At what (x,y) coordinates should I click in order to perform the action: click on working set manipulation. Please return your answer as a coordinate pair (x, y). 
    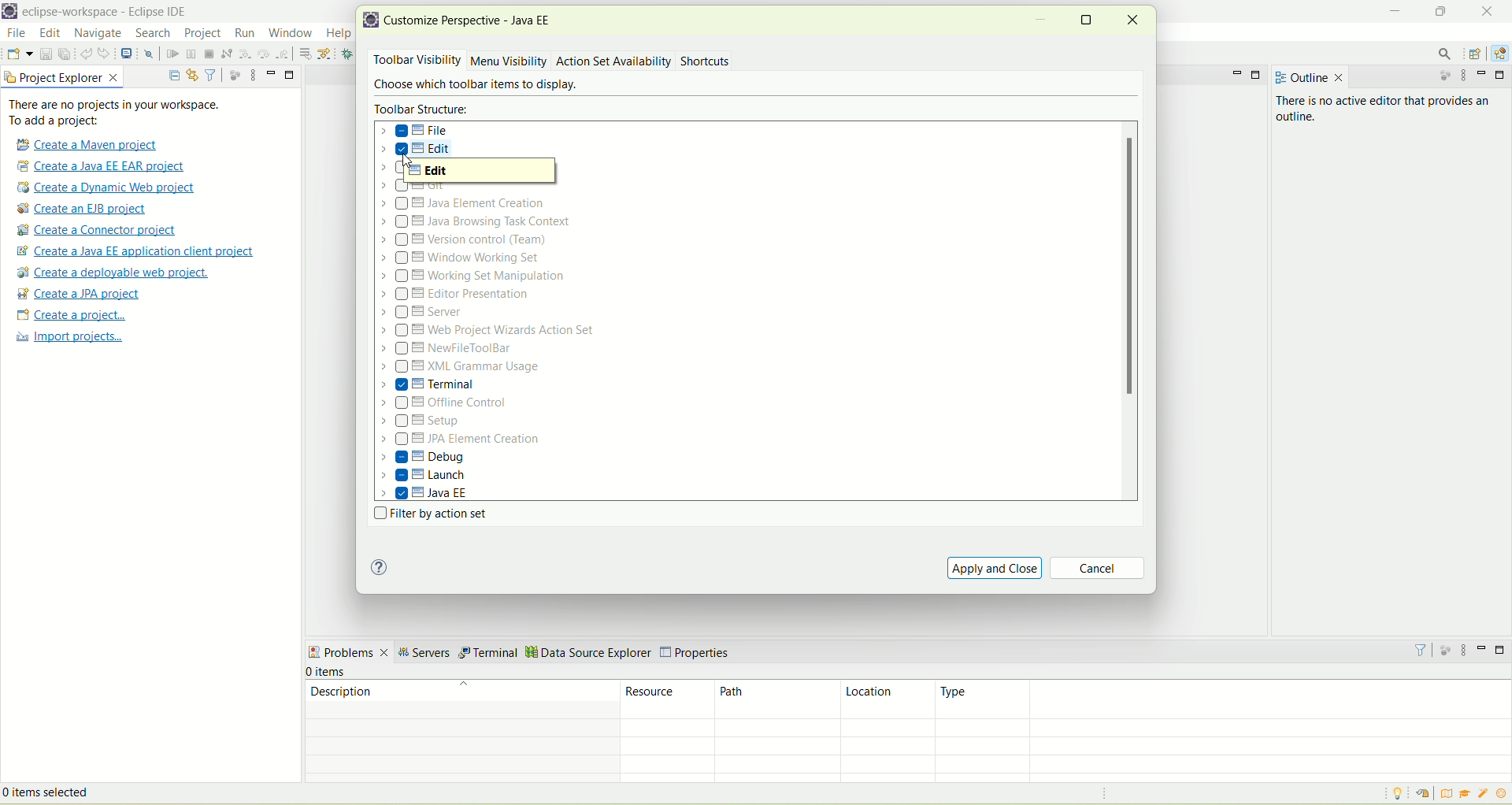
    Looking at the image, I should click on (475, 275).